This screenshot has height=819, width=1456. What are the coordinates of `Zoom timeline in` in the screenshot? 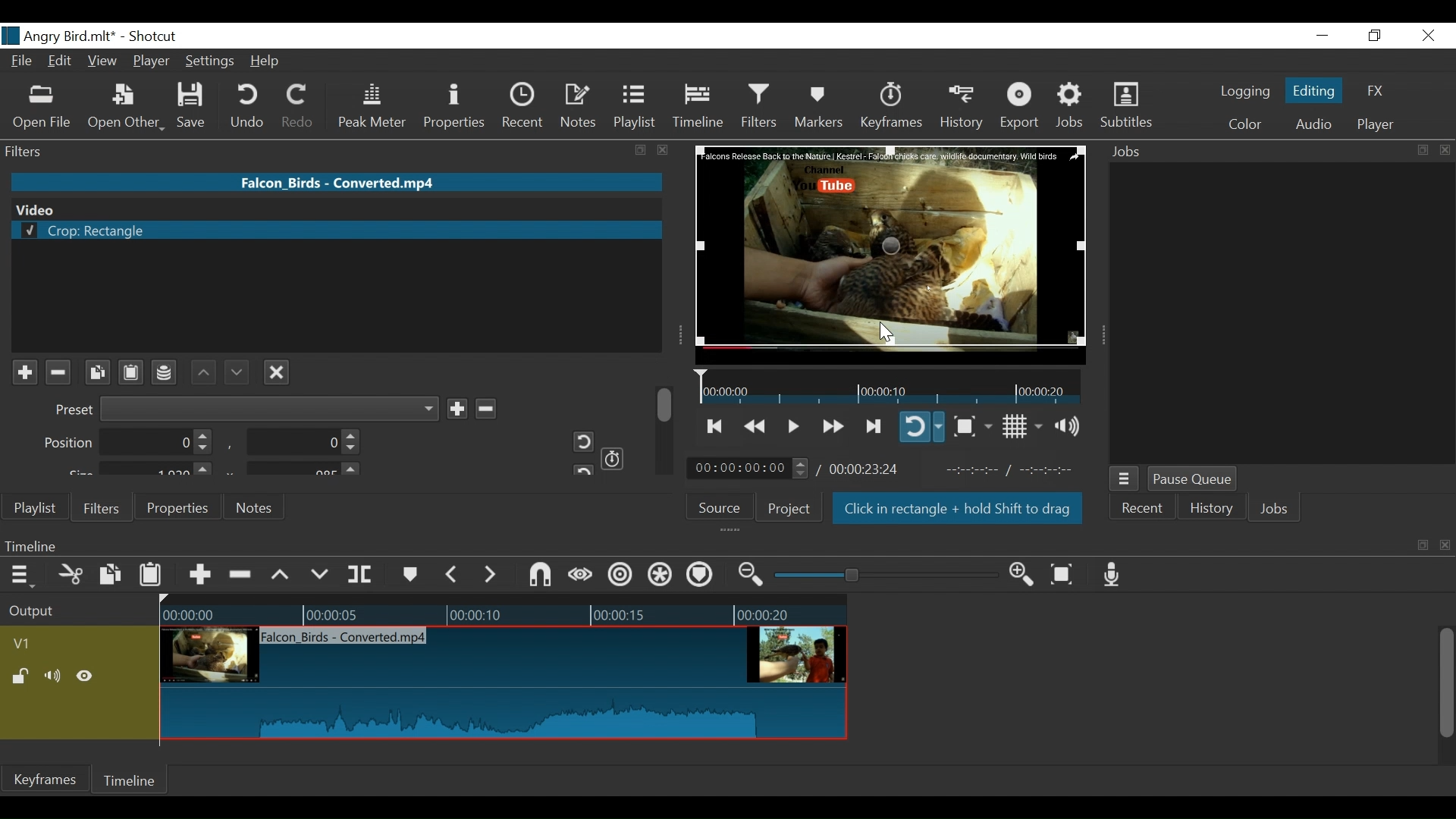 It's located at (1026, 576).